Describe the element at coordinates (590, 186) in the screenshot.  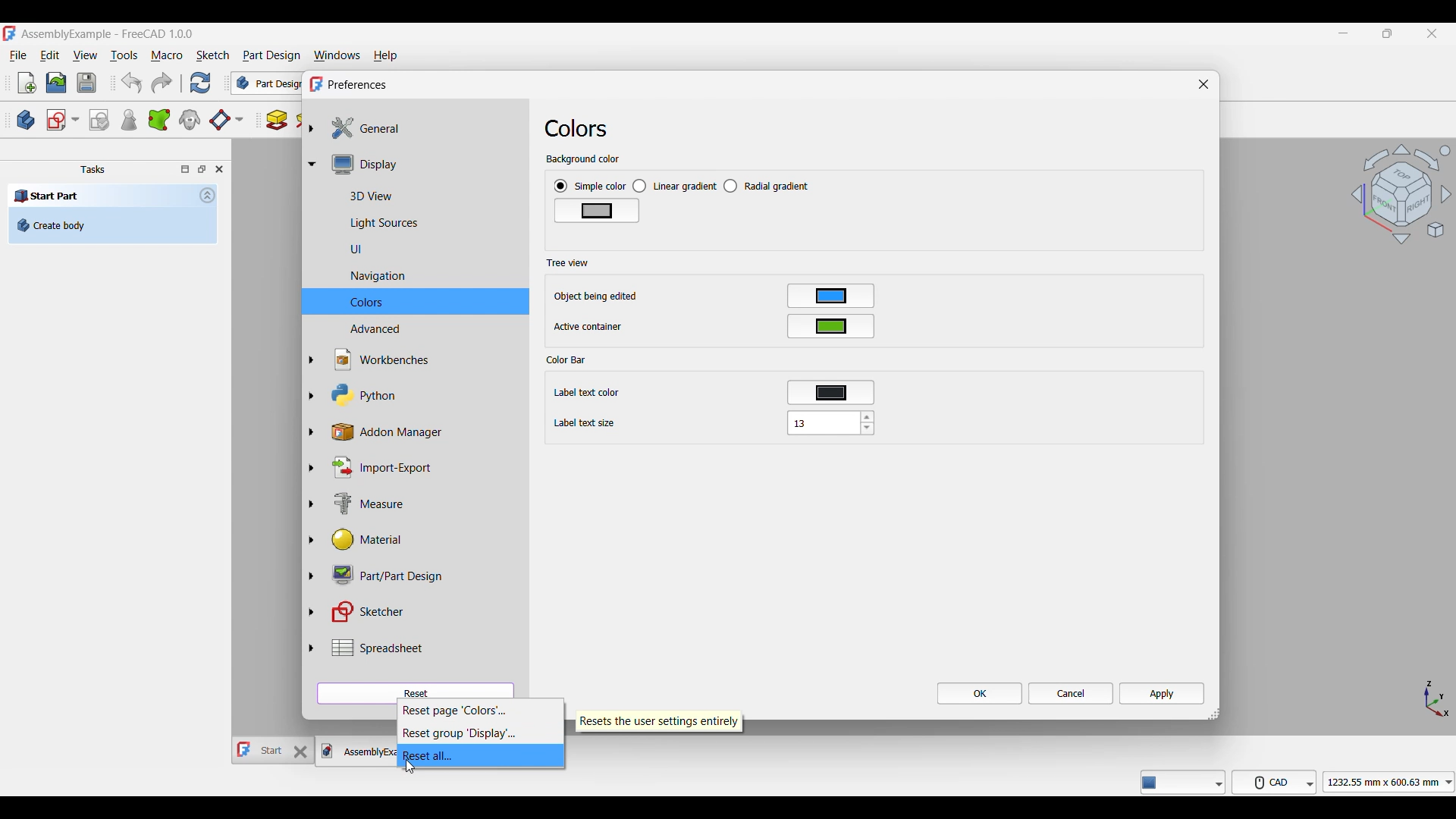
I see `Toggle for Simple color` at that location.